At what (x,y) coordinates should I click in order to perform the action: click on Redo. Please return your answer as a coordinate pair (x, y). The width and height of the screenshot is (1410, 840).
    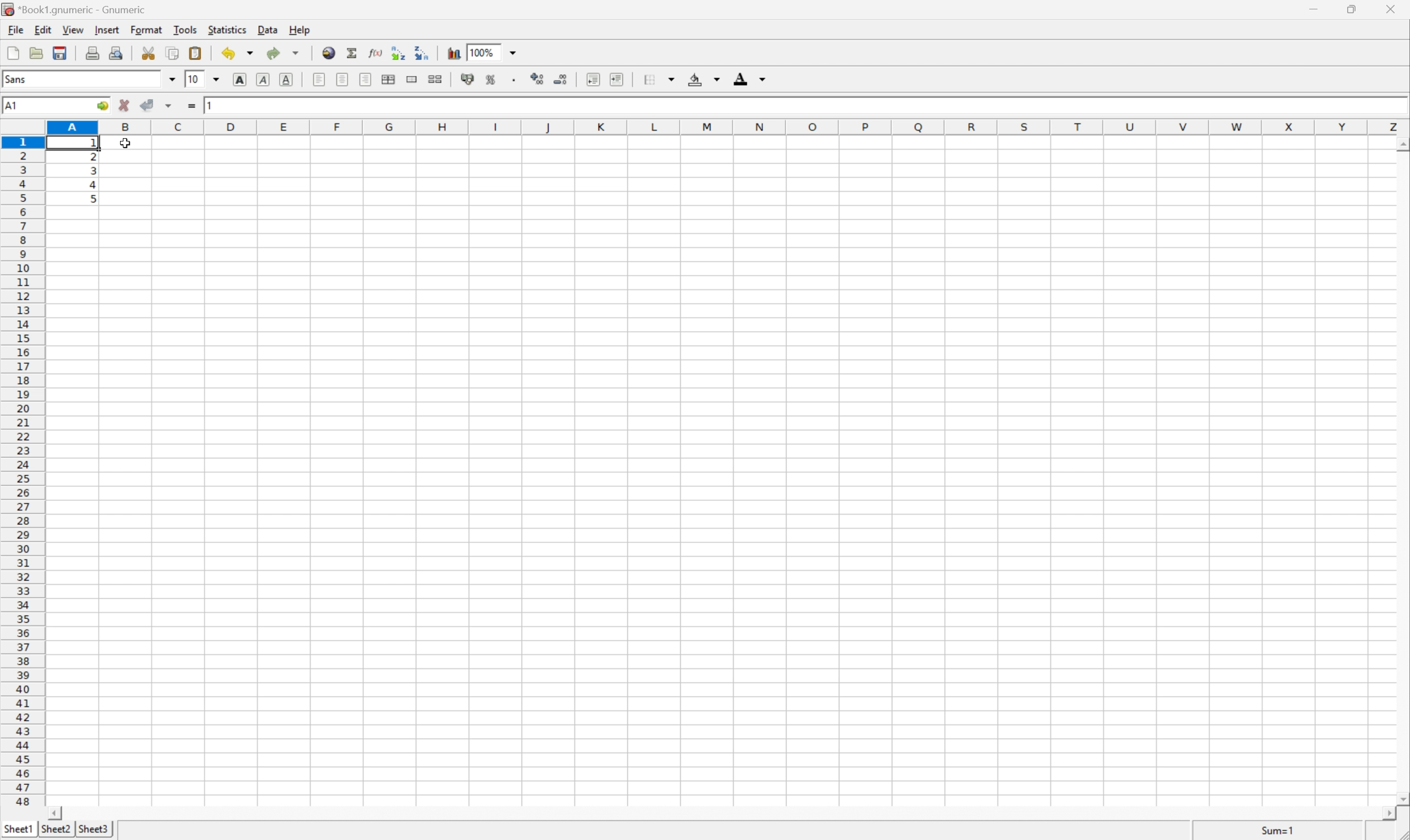
    Looking at the image, I should click on (288, 52).